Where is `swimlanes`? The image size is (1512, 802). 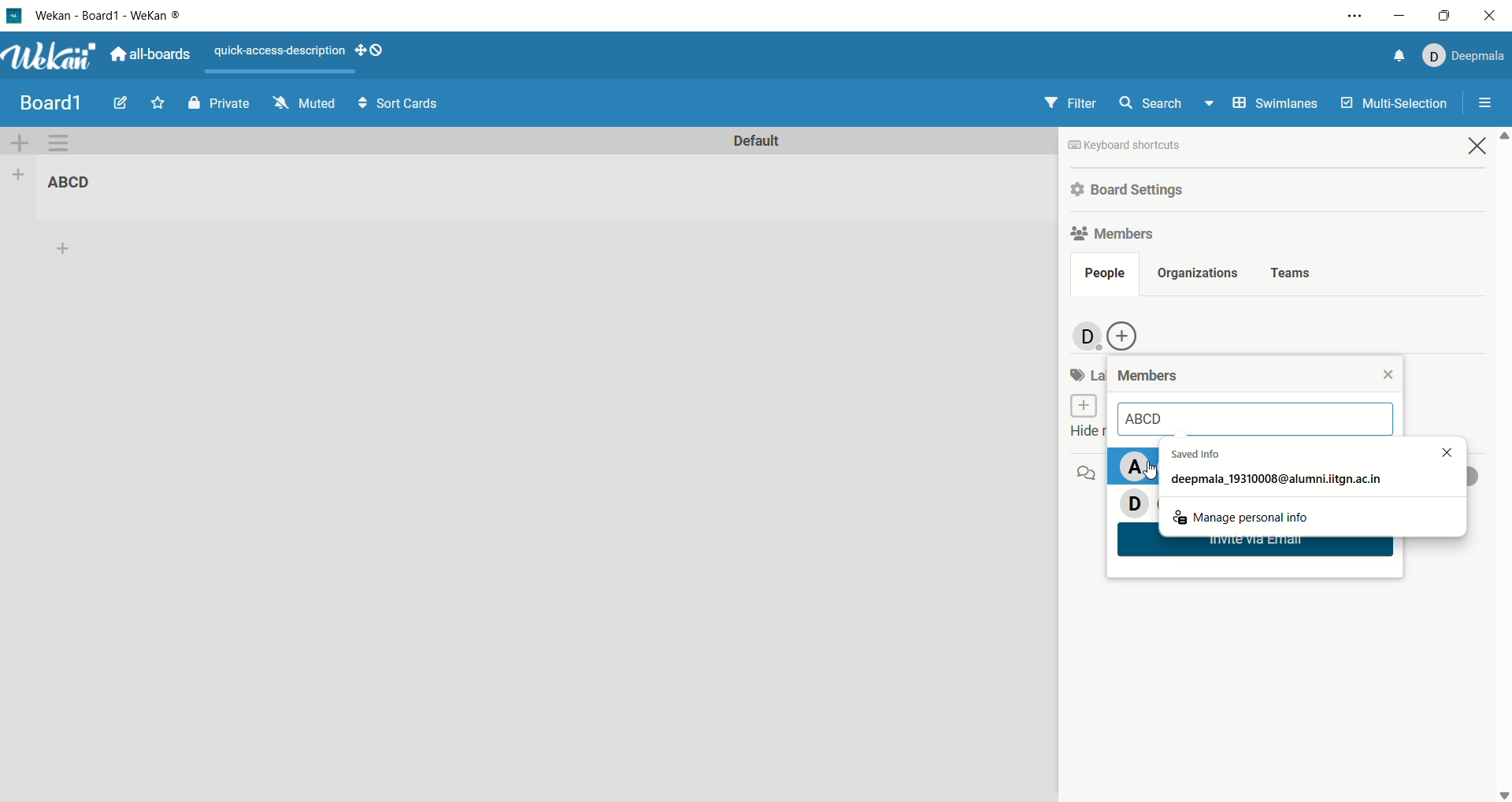 swimlanes is located at coordinates (1277, 105).